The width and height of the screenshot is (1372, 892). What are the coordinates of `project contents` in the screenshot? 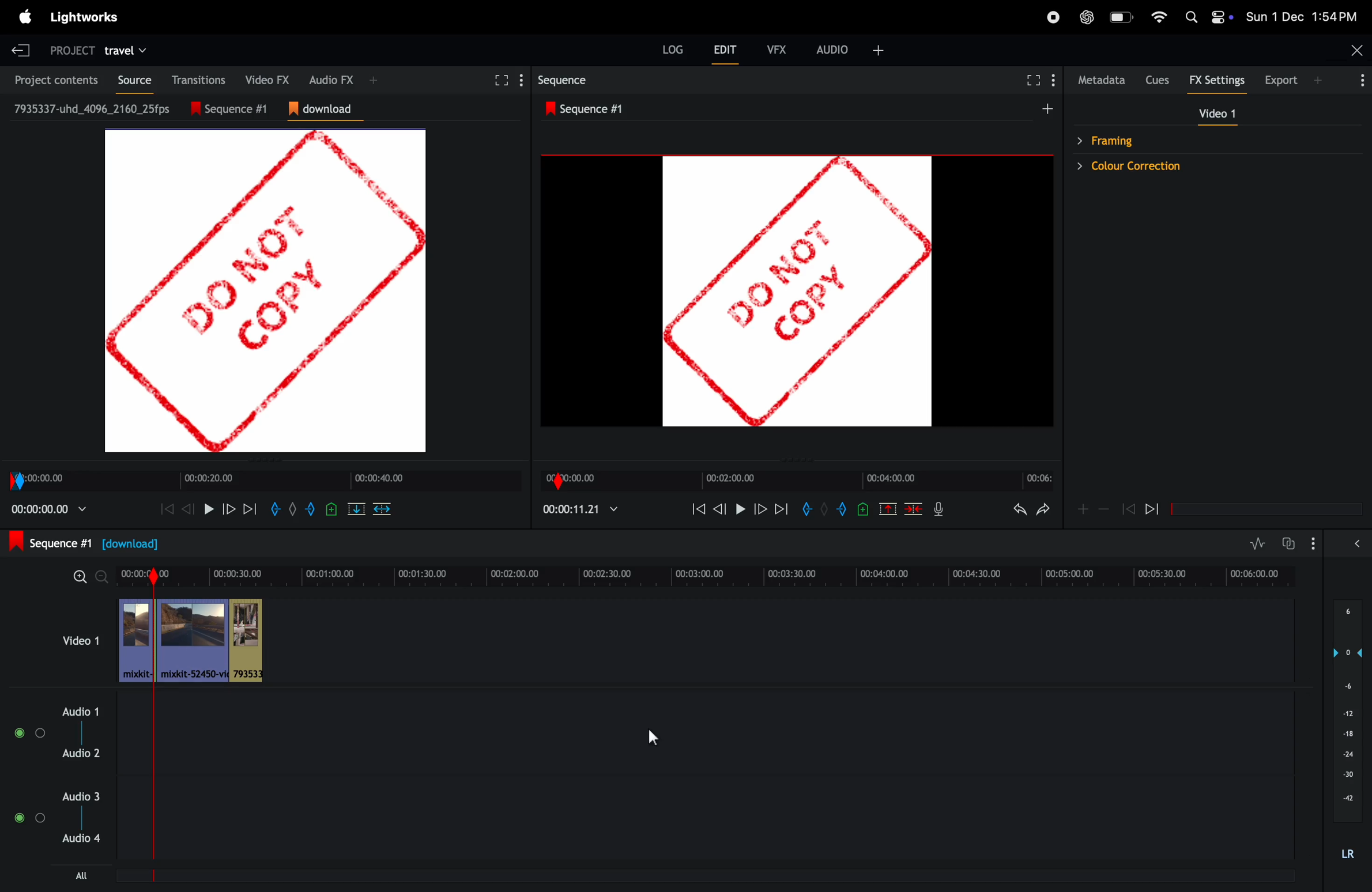 It's located at (52, 79).